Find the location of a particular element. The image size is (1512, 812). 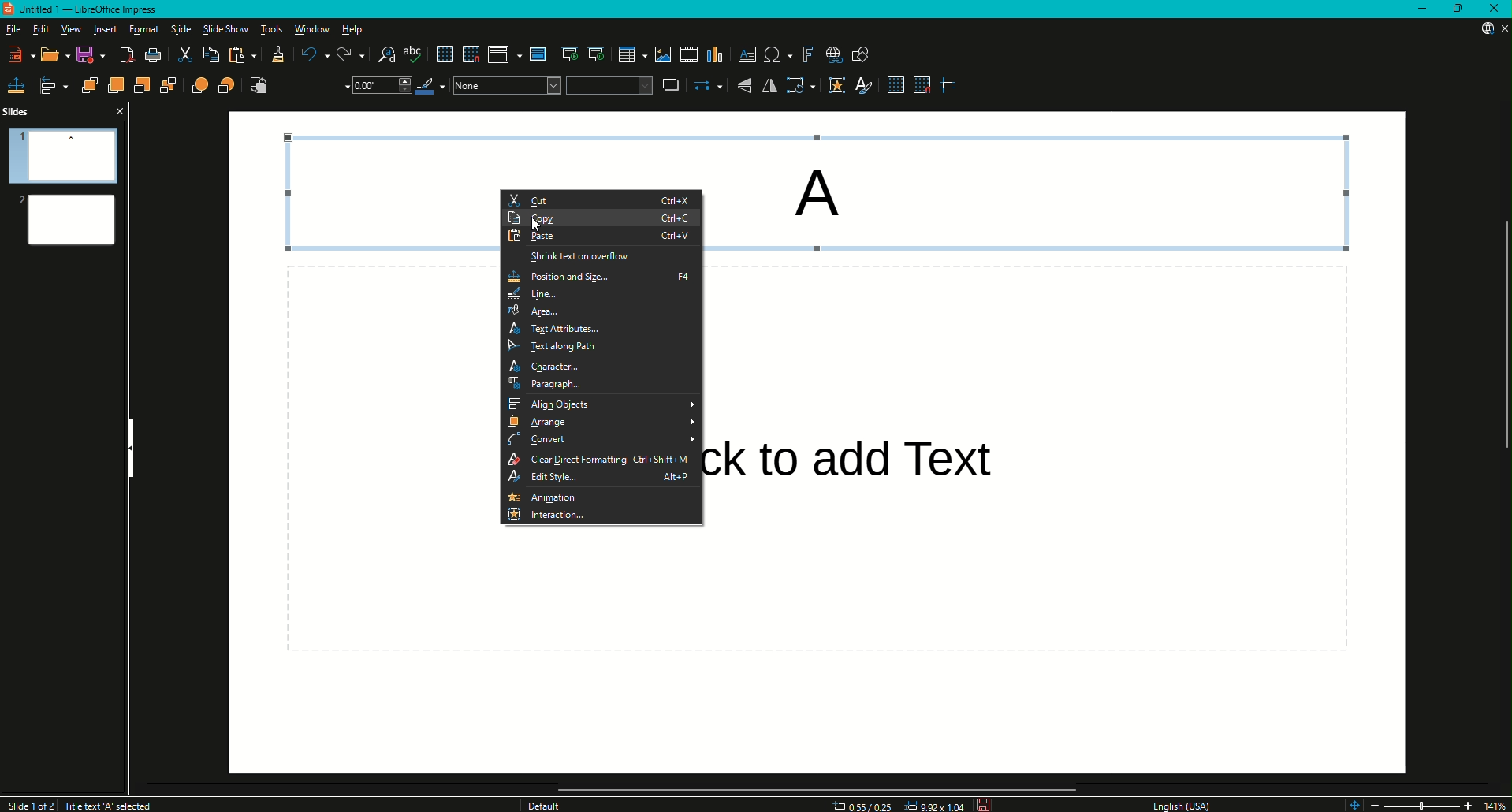

Close is located at coordinates (119, 111).